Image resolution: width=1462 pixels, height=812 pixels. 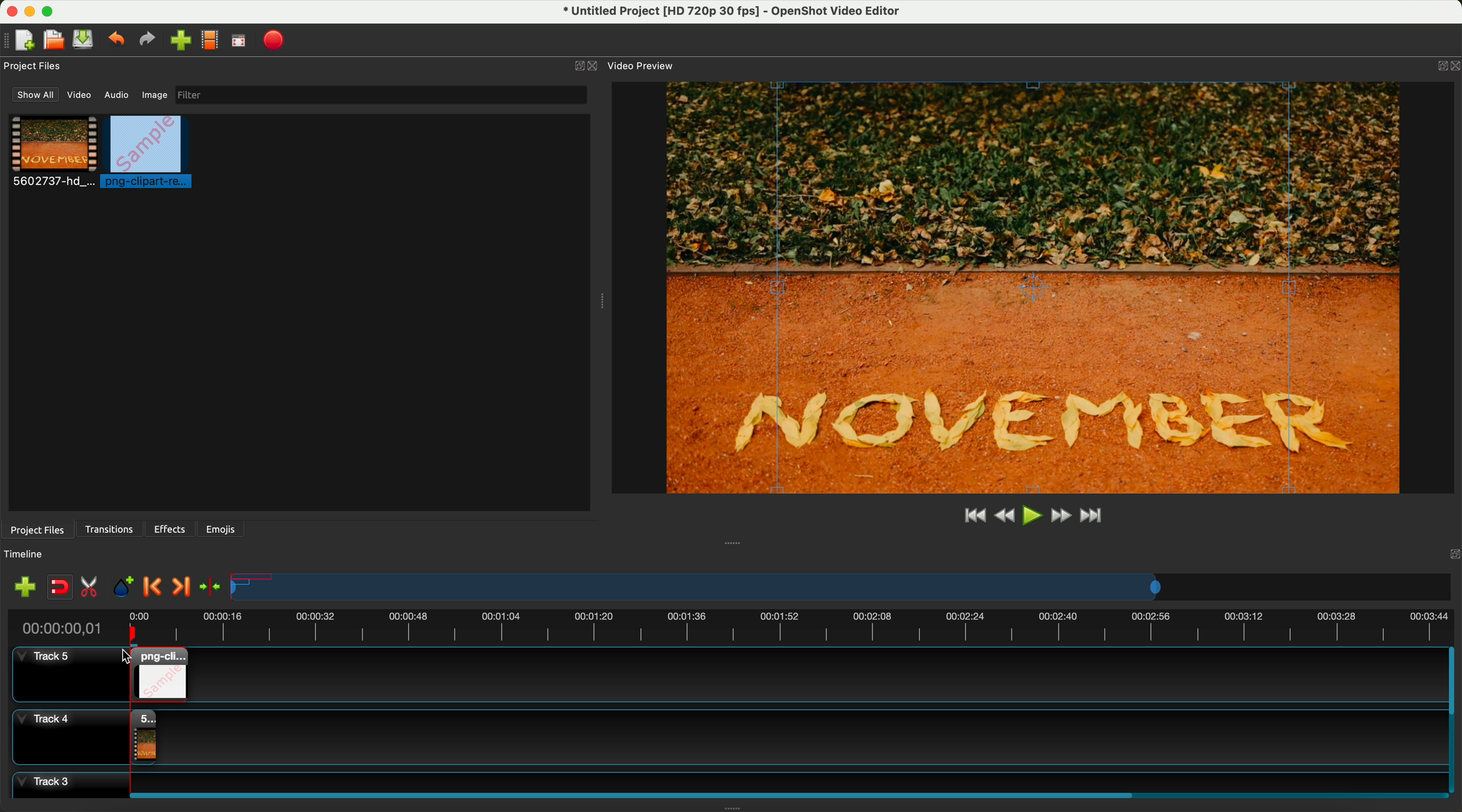 What do you see at coordinates (221, 527) in the screenshot?
I see `emojis` at bounding box center [221, 527].